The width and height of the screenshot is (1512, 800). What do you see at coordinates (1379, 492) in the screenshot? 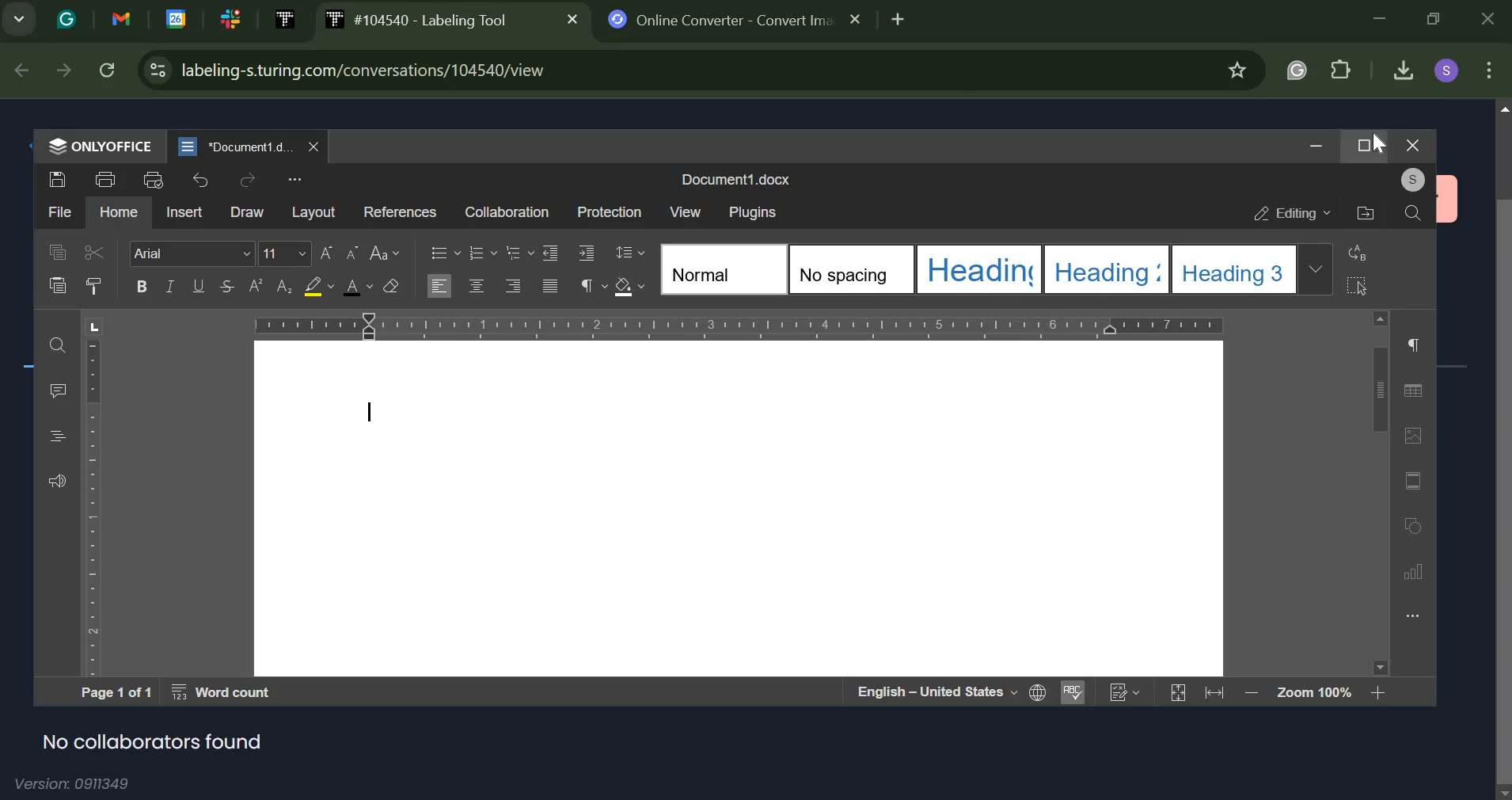
I see `vertical scroll bar` at bounding box center [1379, 492].